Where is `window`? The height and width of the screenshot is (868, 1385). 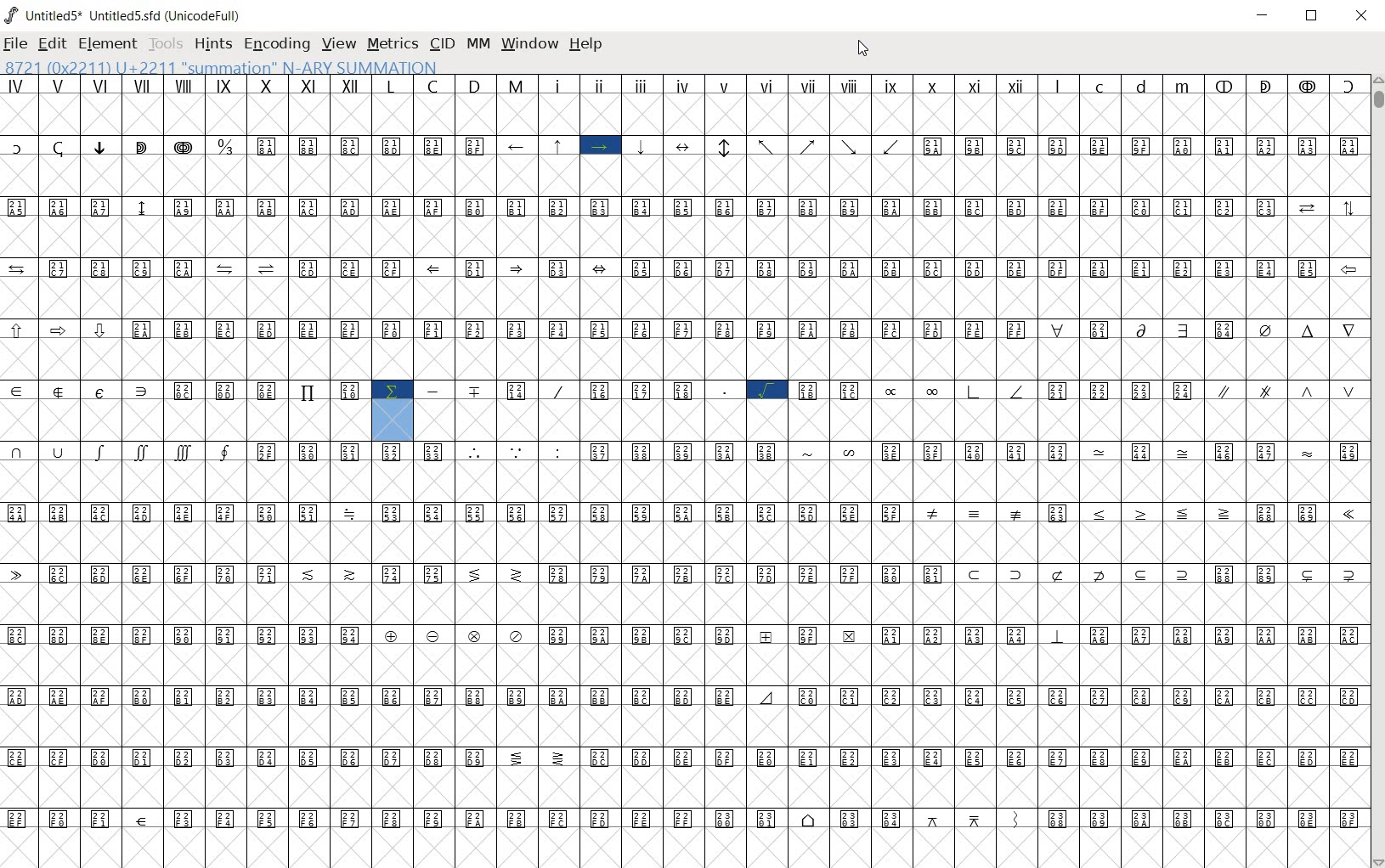
window is located at coordinates (529, 43).